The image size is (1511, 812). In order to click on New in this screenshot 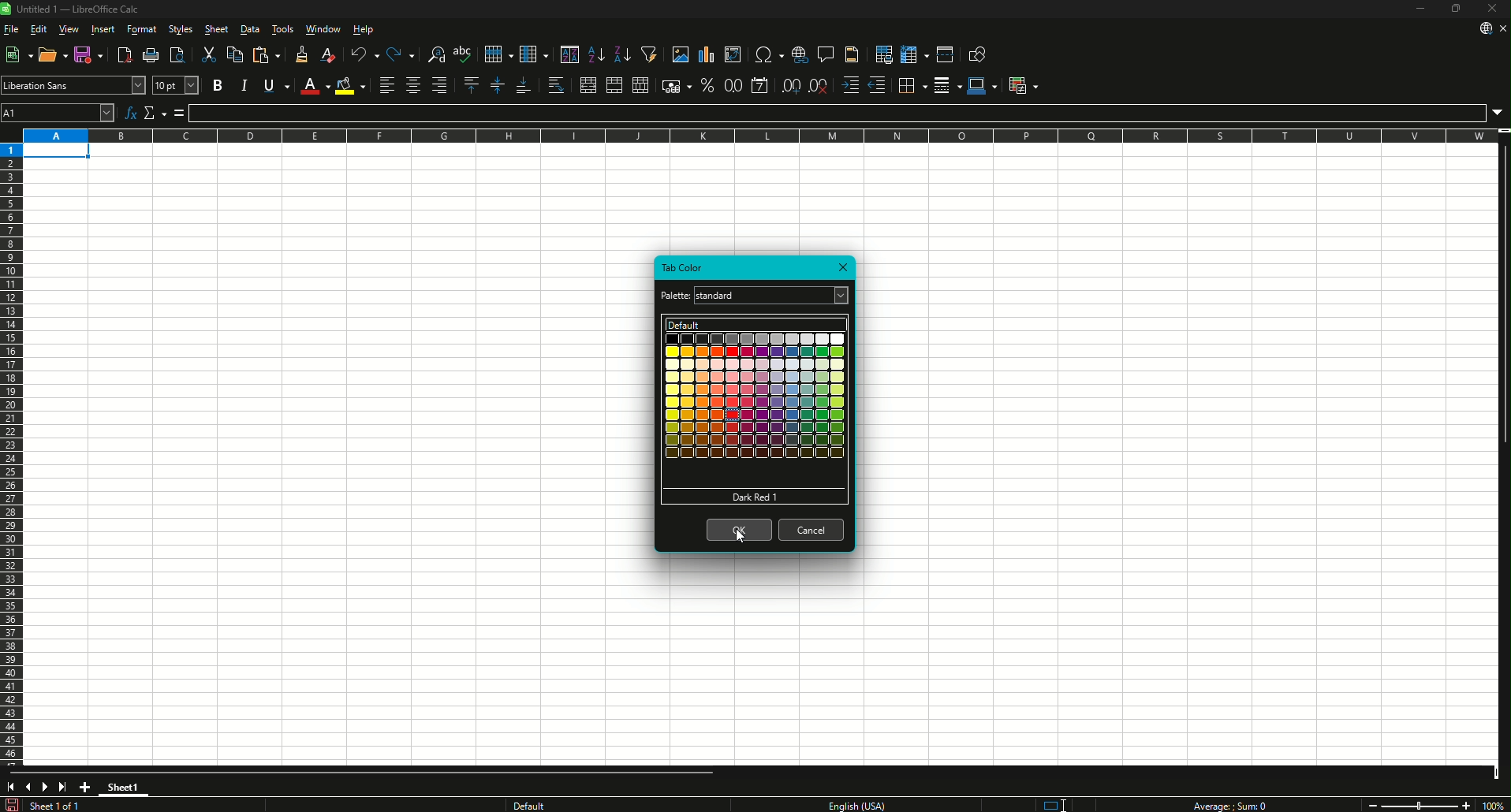, I will do `click(18, 54)`.